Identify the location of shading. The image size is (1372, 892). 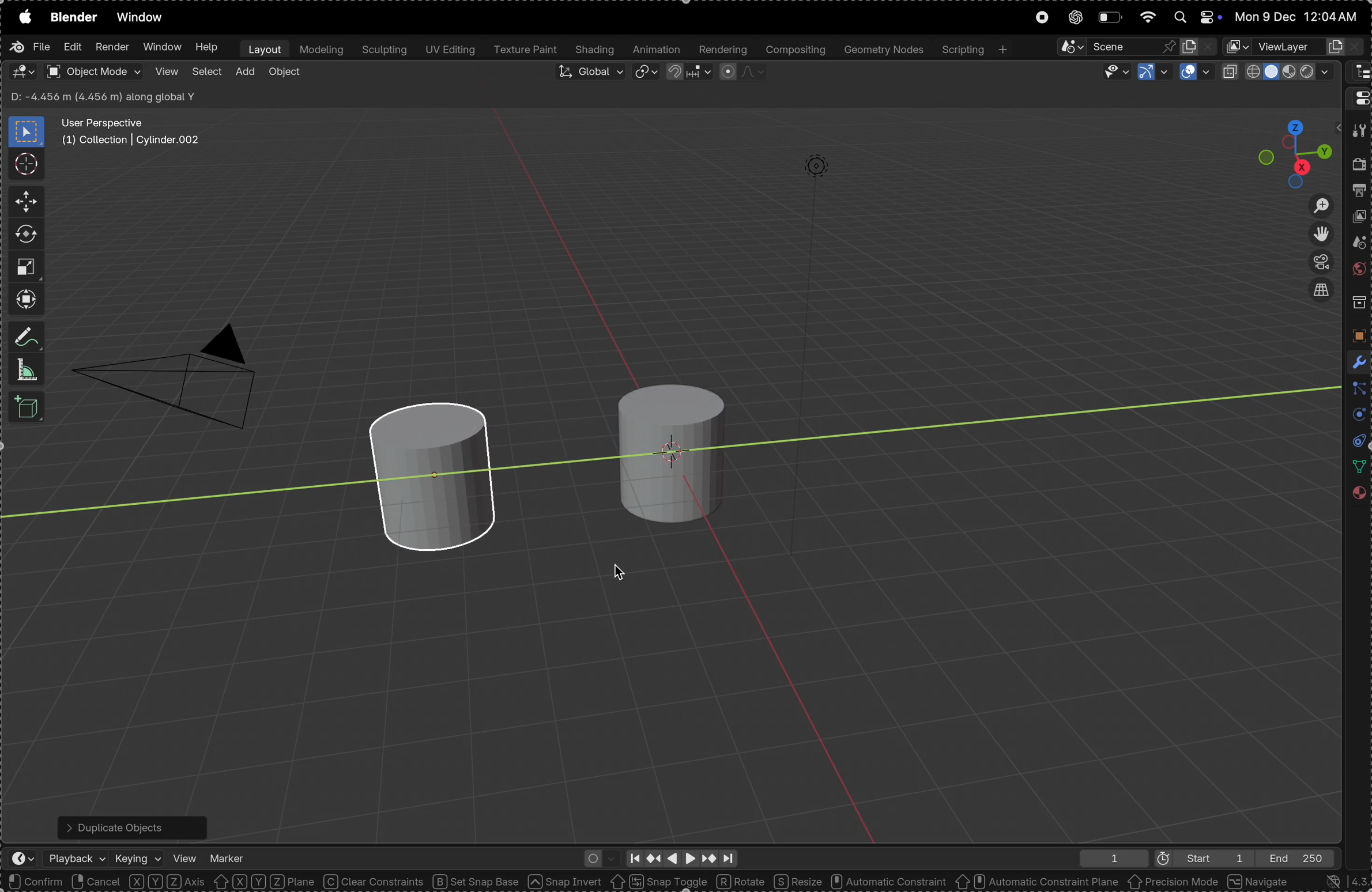
(595, 50).